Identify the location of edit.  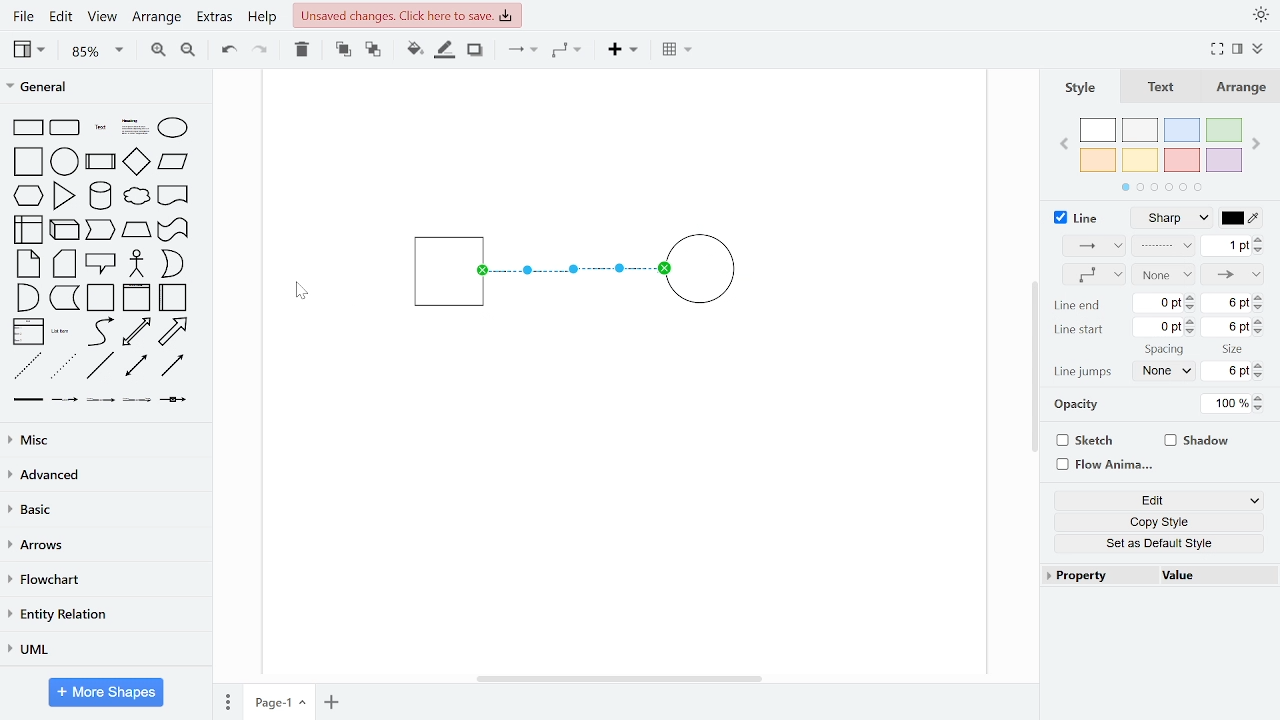
(1162, 499).